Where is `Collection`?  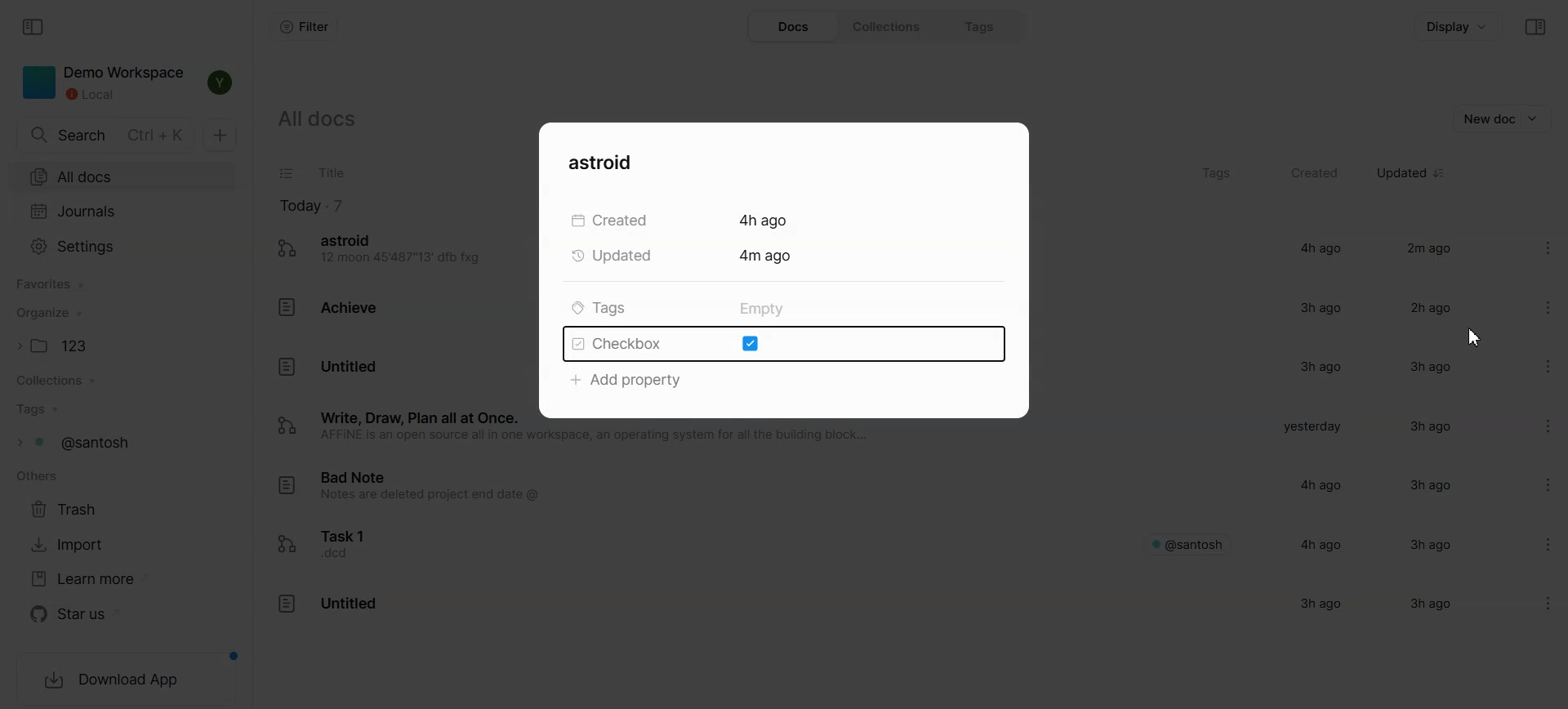 Collection is located at coordinates (122, 381).